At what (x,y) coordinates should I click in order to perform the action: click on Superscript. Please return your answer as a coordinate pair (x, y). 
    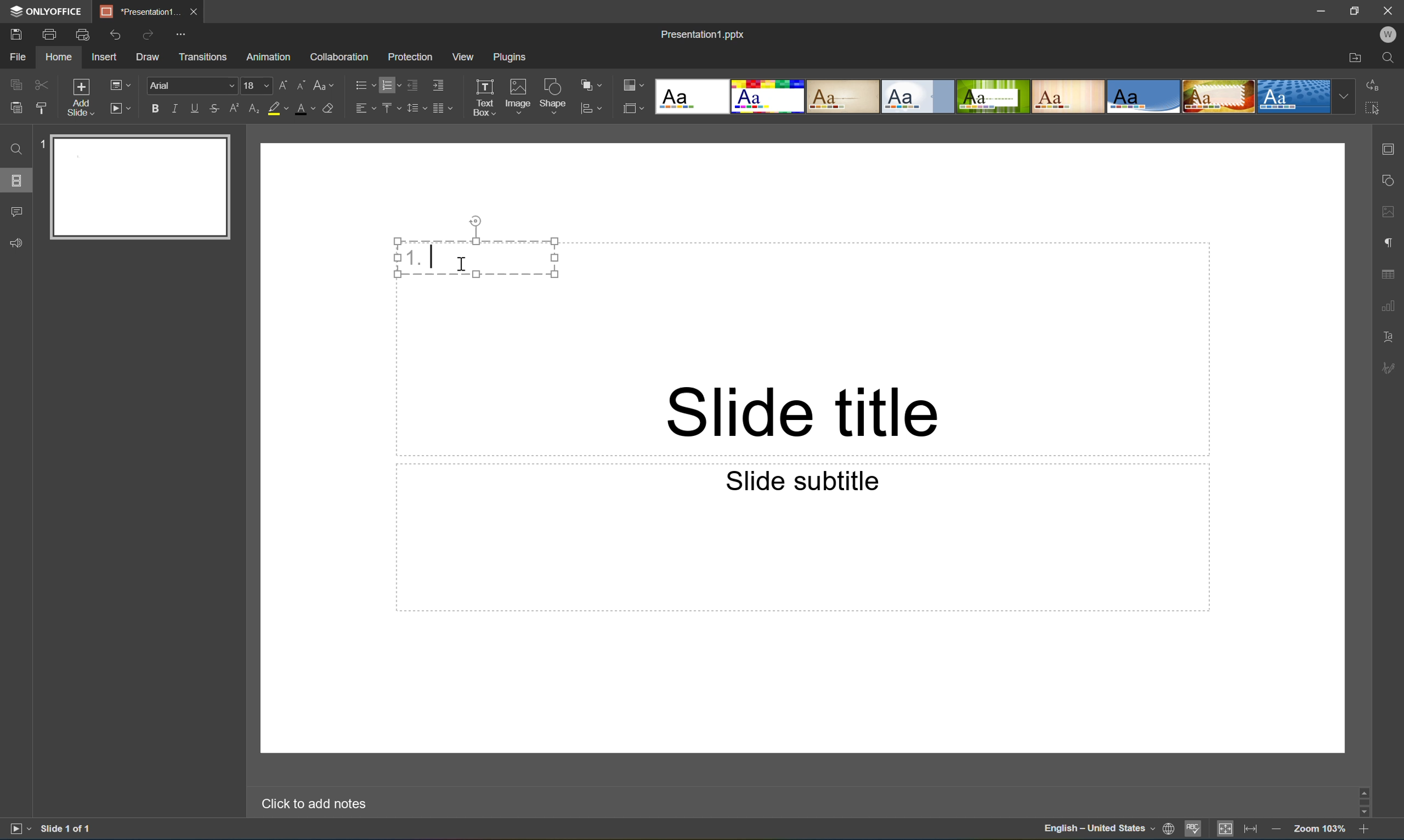
    Looking at the image, I should click on (237, 109).